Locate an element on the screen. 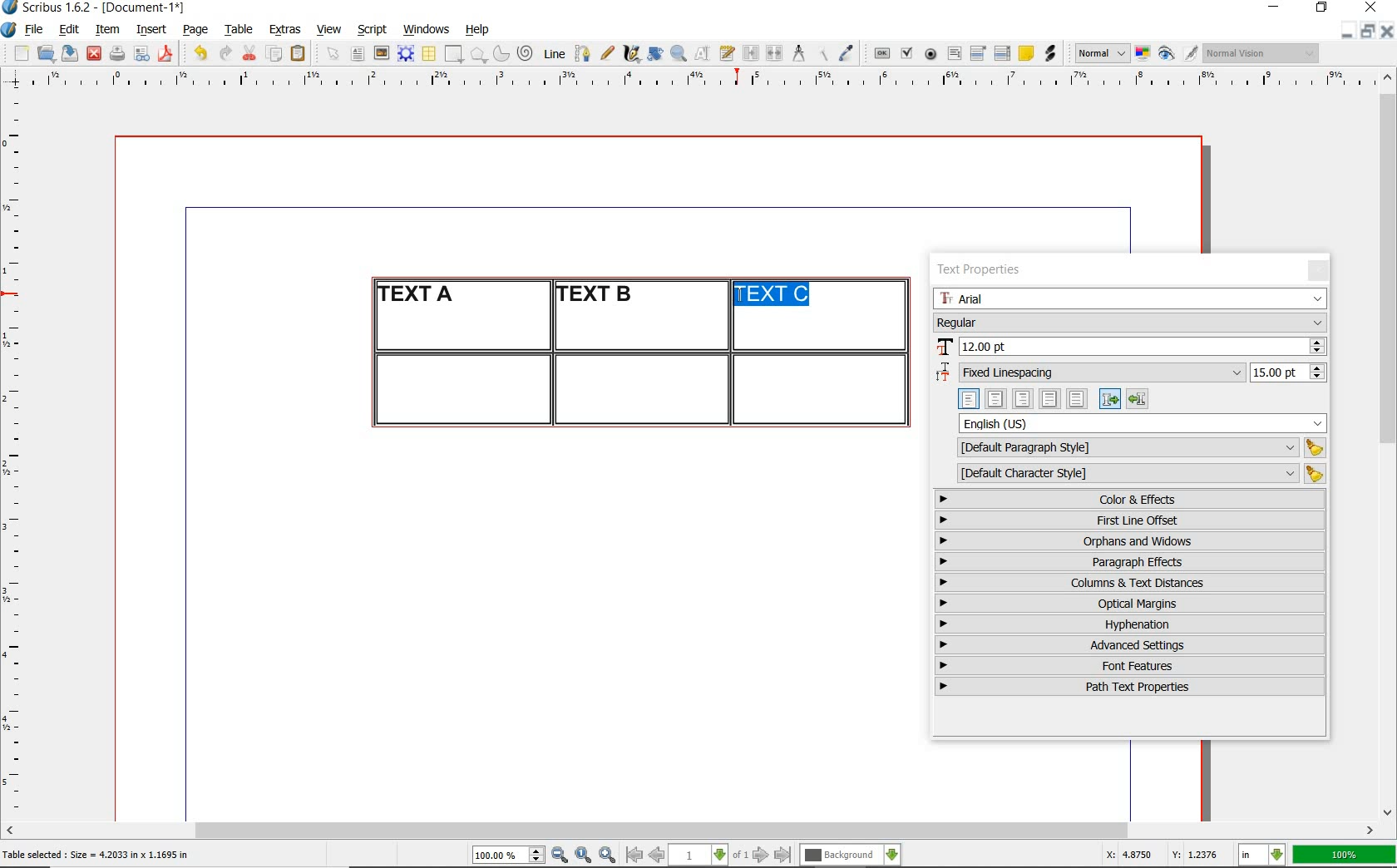  new is located at coordinates (19, 53).